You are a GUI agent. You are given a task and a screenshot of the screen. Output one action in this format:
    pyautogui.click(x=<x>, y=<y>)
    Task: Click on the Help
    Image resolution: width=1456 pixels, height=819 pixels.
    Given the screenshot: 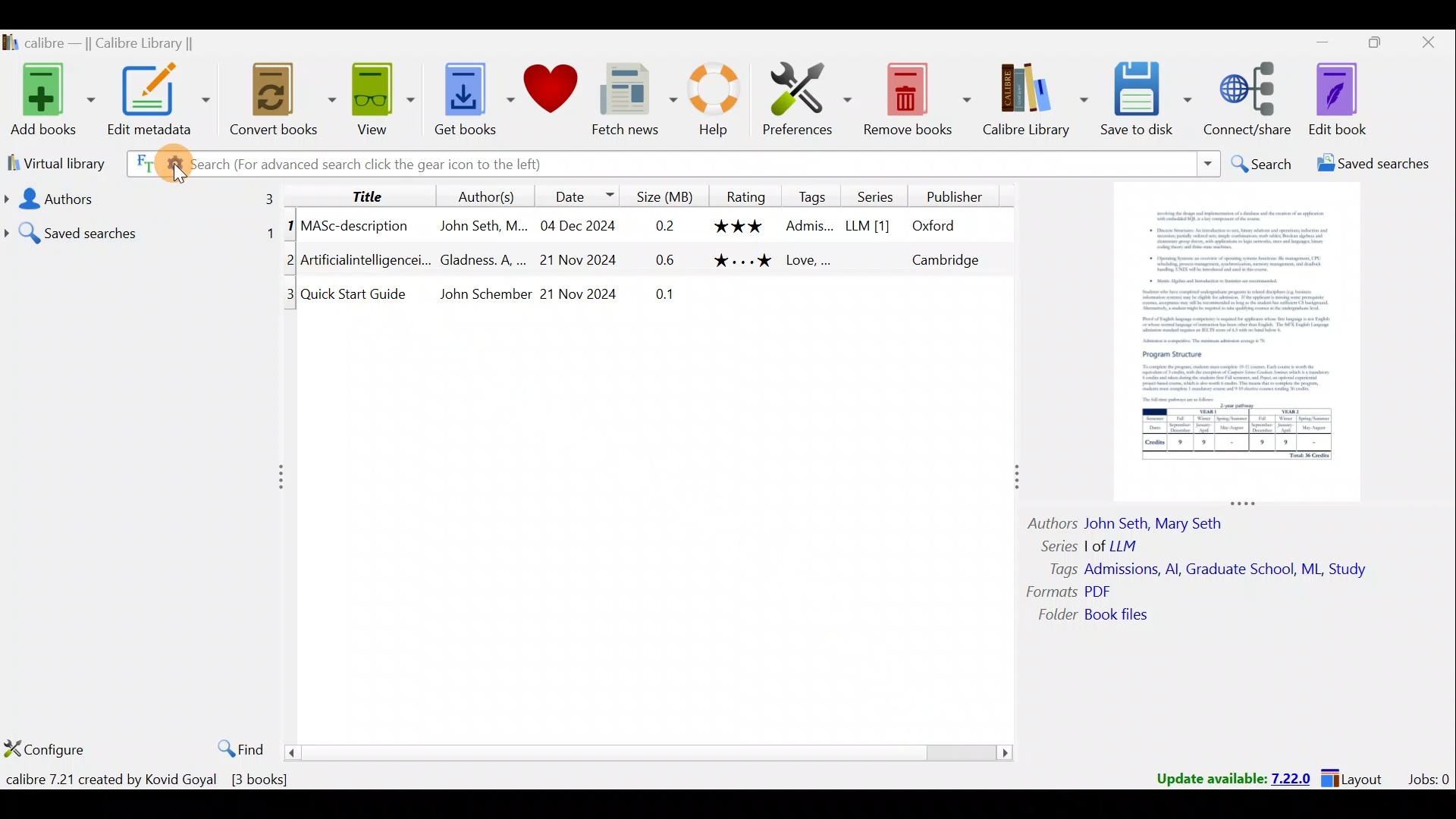 What is the action you would take?
    pyautogui.click(x=720, y=102)
    